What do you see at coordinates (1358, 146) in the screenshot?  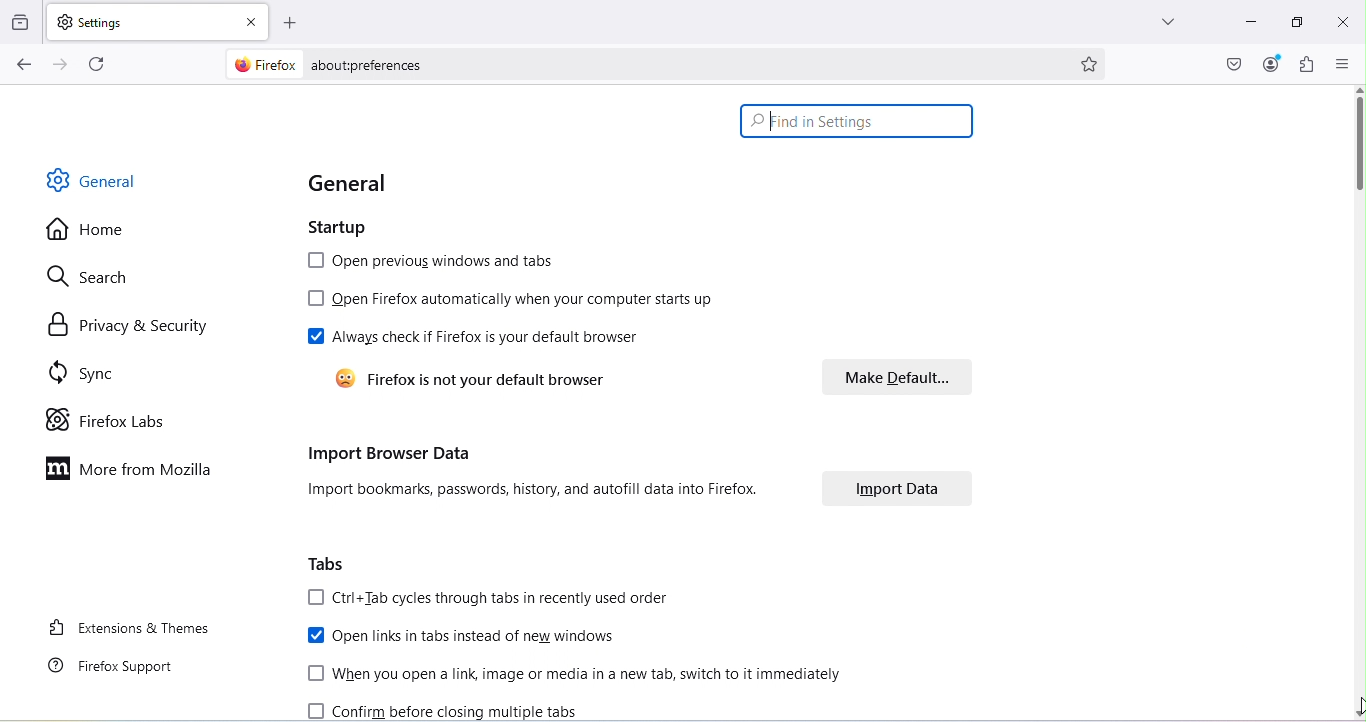 I see `Scroll bar` at bounding box center [1358, 146].